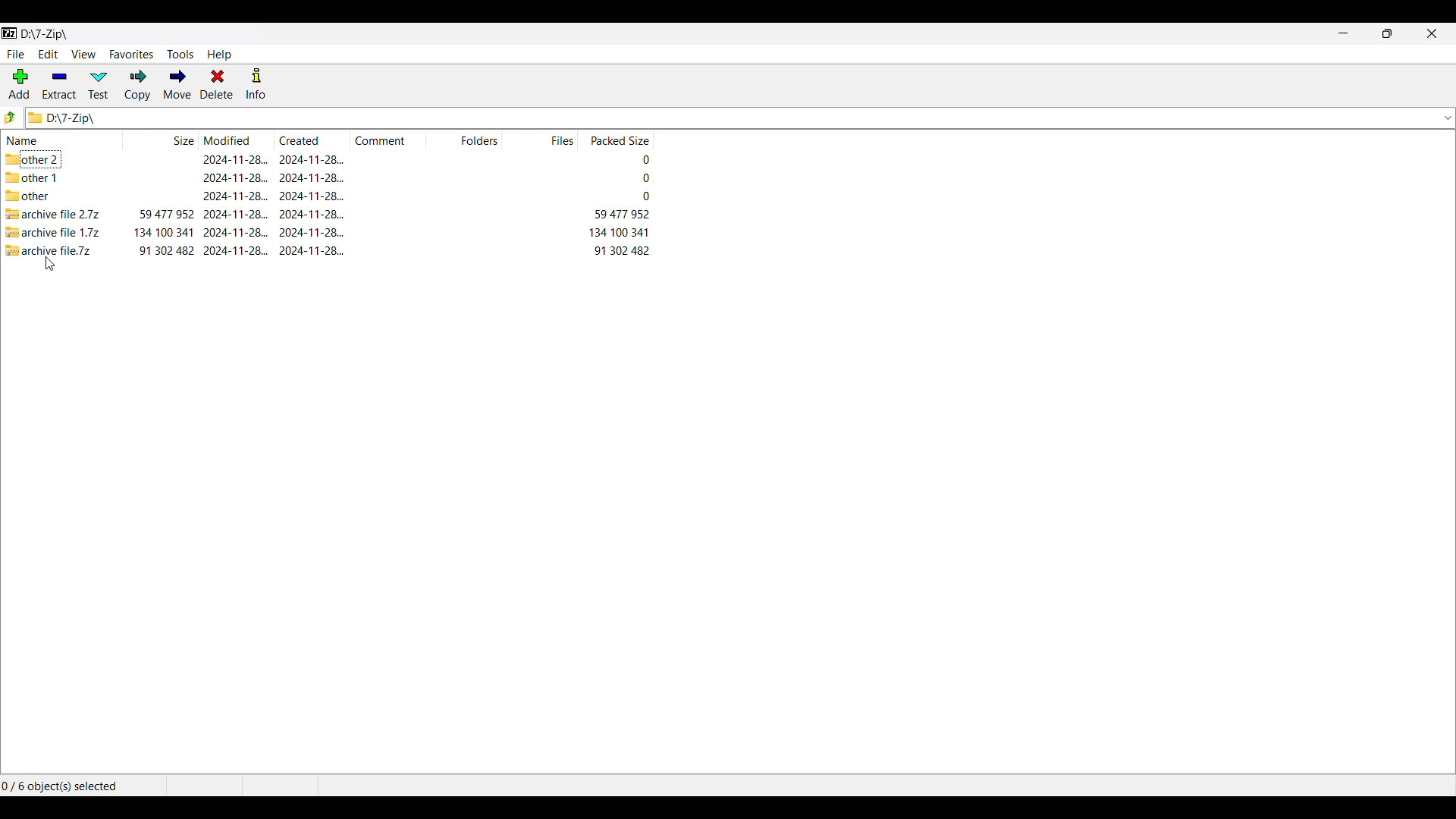  What do you see at coordinates (217, 83) in the screenshot?
I see `Delete` at bounding box center [217, 83].